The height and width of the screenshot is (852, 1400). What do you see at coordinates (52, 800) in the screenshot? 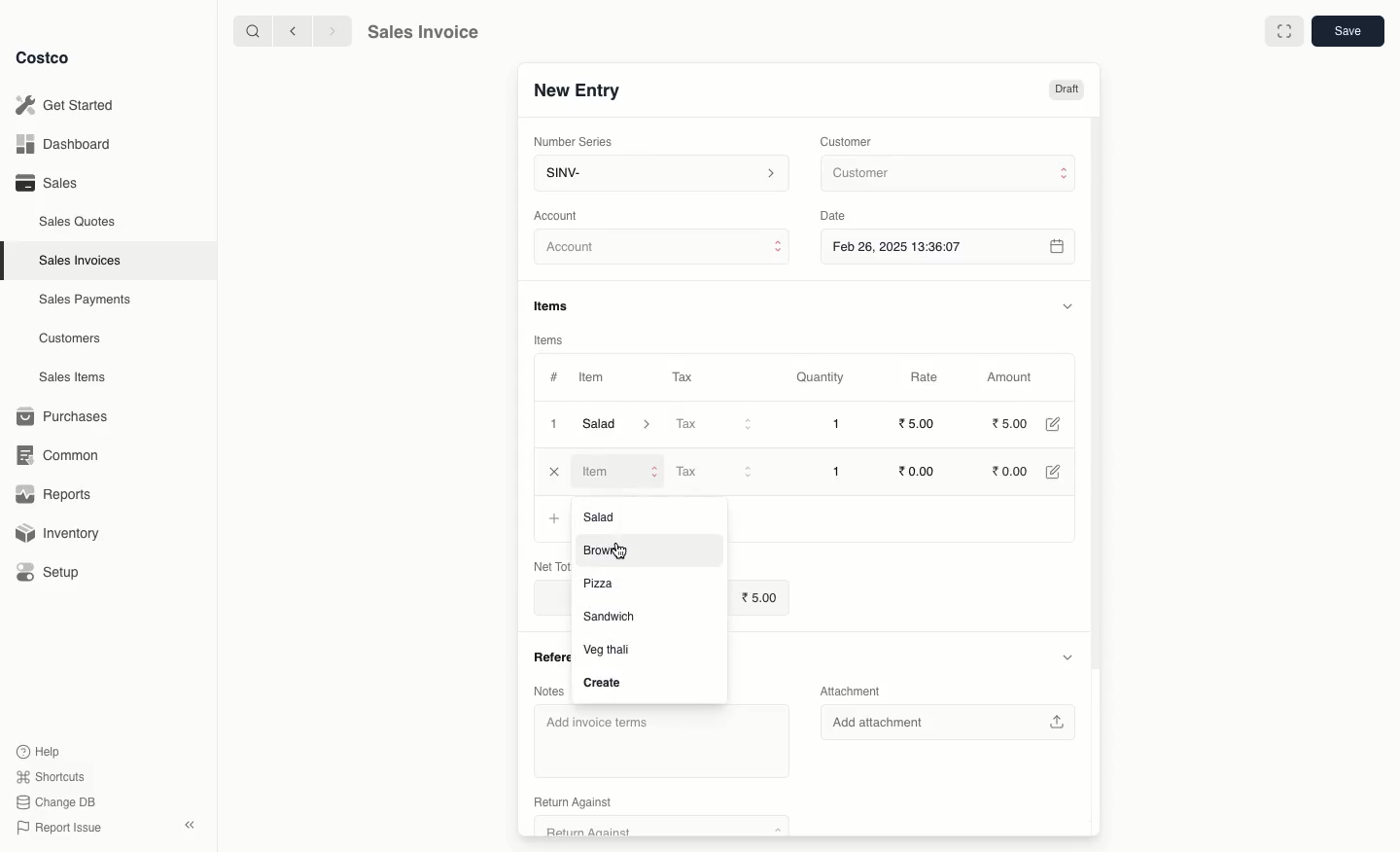
I see `Change DB` at bounding box center [52, 800].